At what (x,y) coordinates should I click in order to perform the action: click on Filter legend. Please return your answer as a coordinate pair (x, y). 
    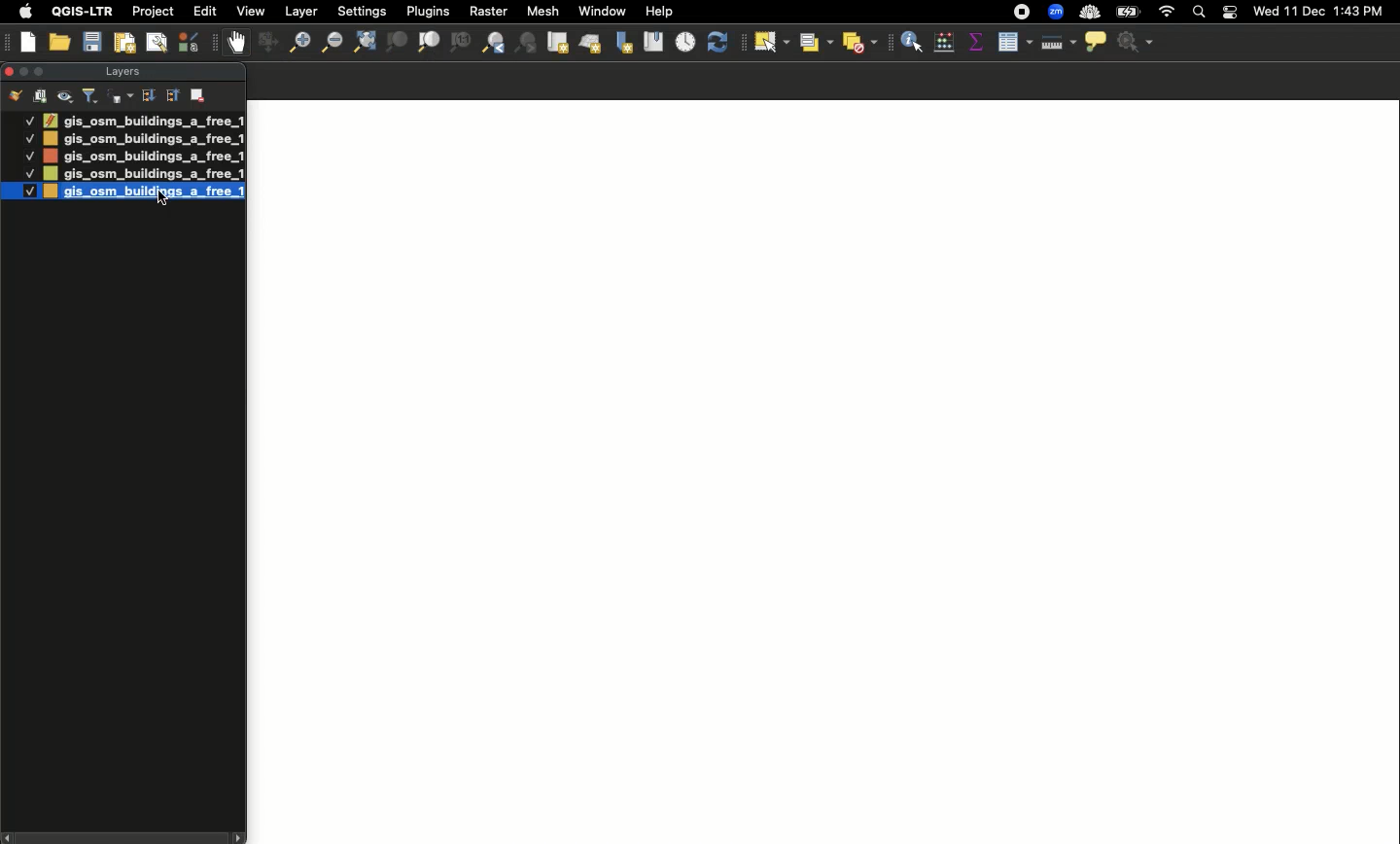
    Looking at the image, I should click on (91, 96).